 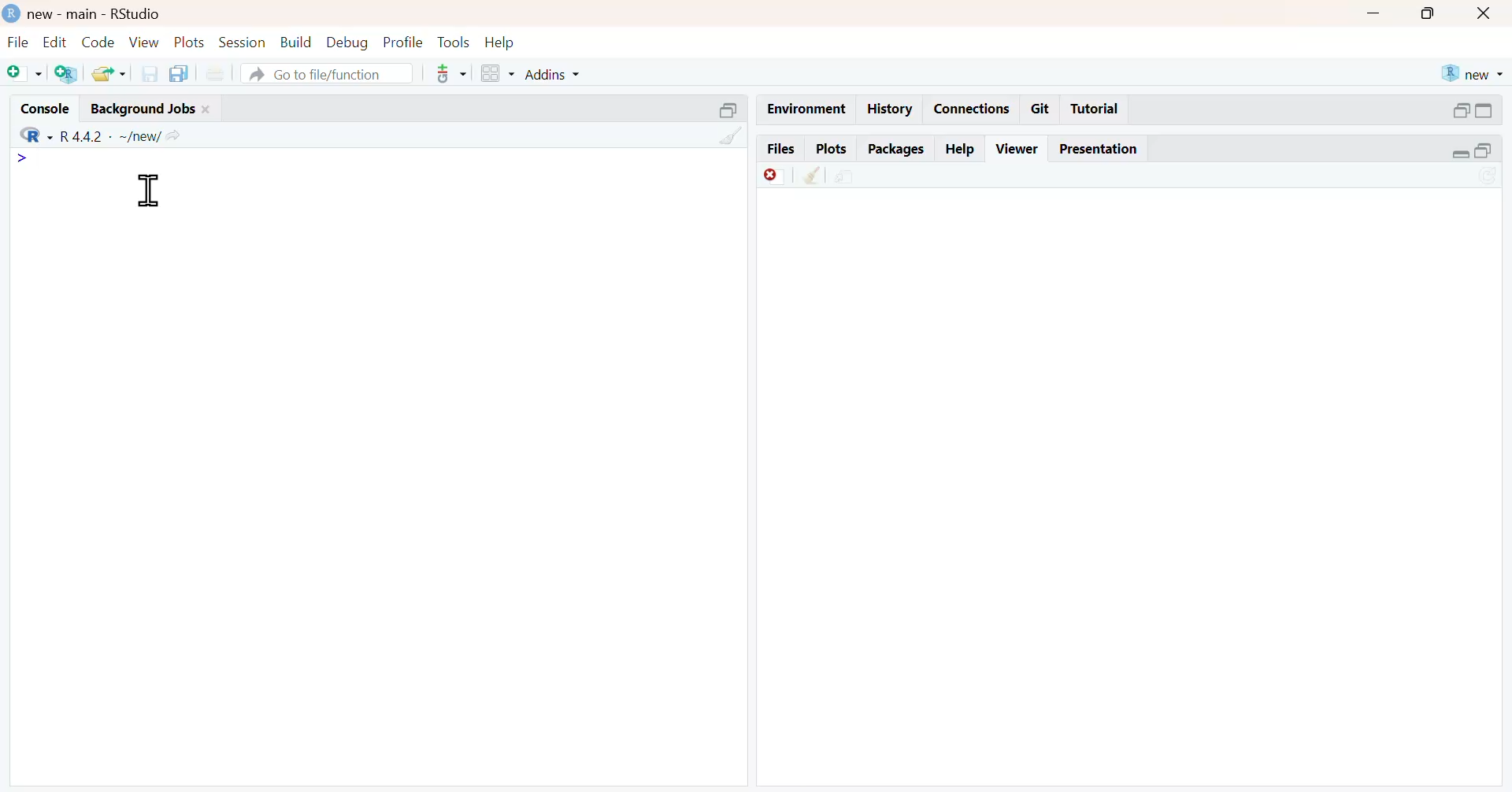 I want to click on viewer, so click(x=1018, y=148).